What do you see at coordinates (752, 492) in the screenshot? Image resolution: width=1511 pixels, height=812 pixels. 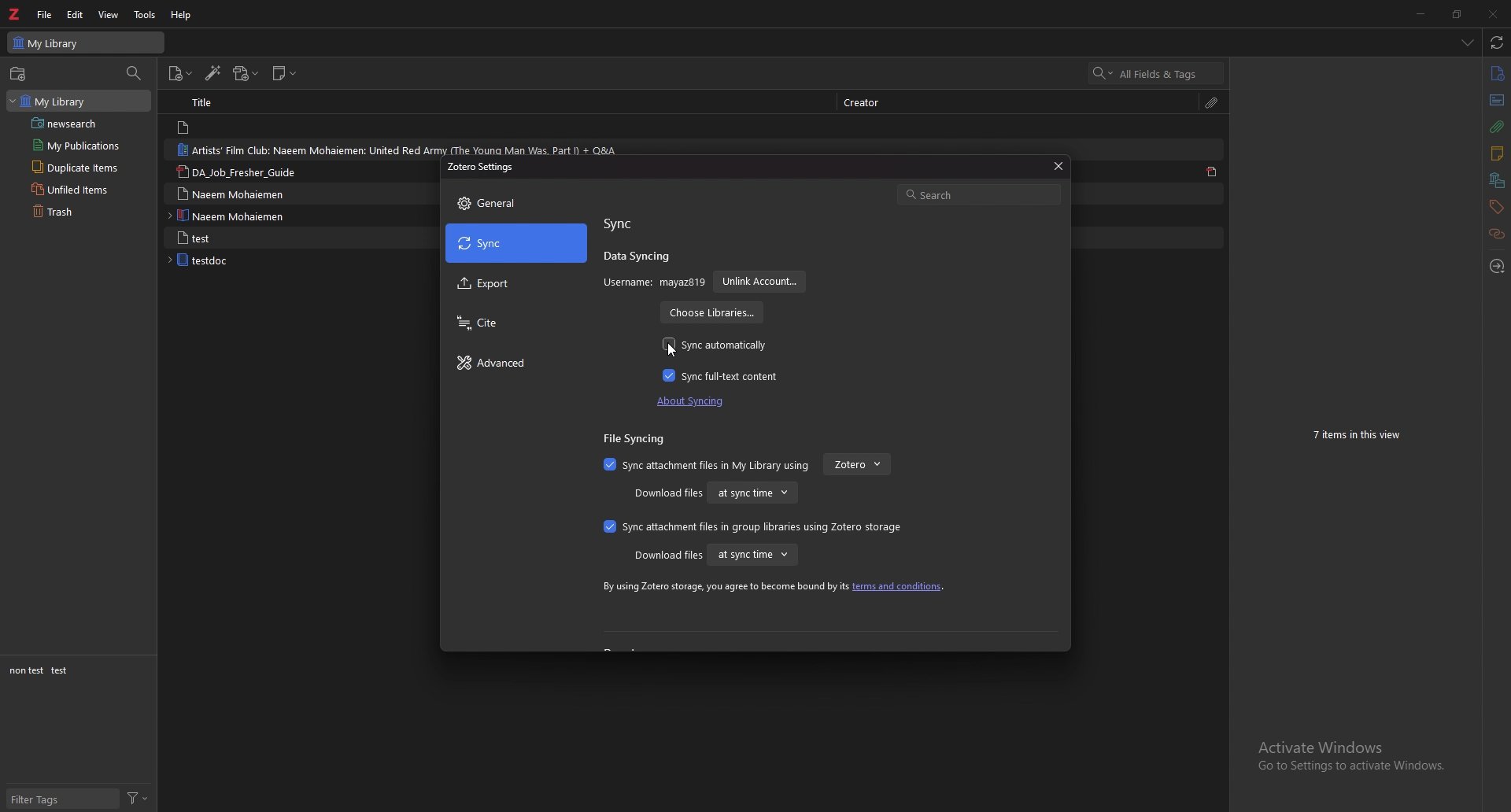 I see `at sync time` at bounding box center [752, 492].